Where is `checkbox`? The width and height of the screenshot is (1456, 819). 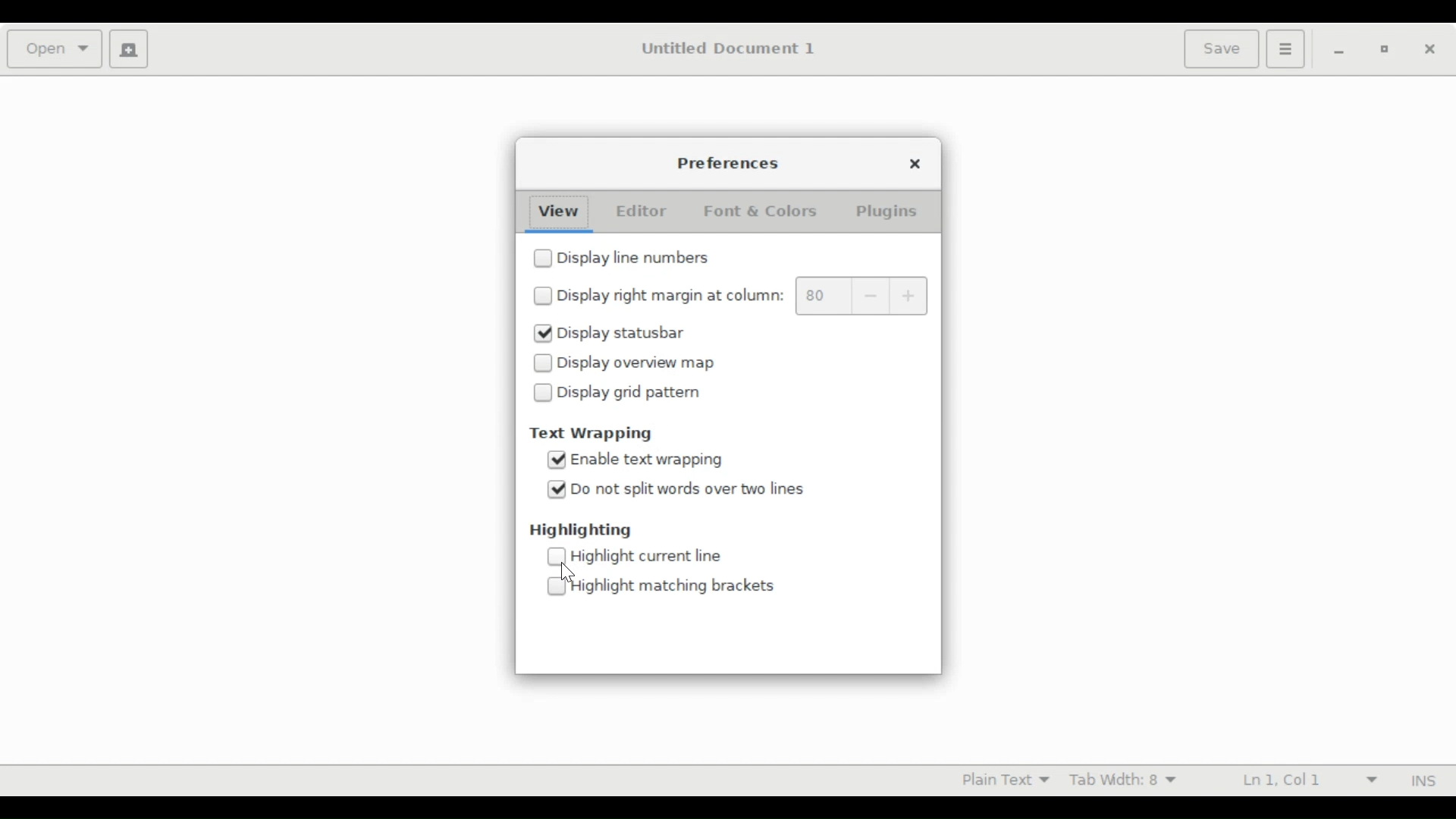 checkbox is located at coordinates (541, 297).